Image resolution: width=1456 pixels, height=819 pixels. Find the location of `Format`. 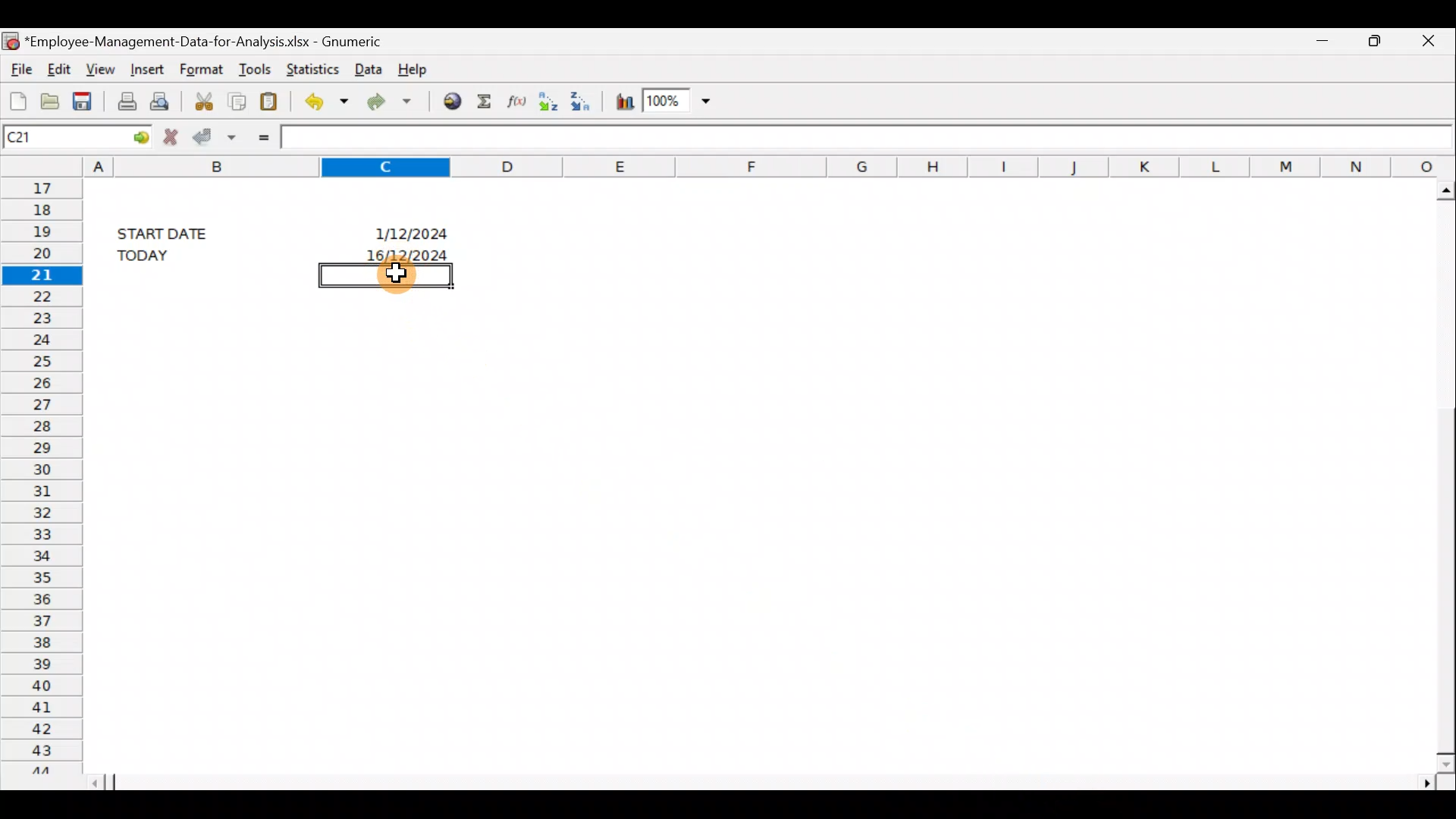

Format is located at coordinates (203, 67).